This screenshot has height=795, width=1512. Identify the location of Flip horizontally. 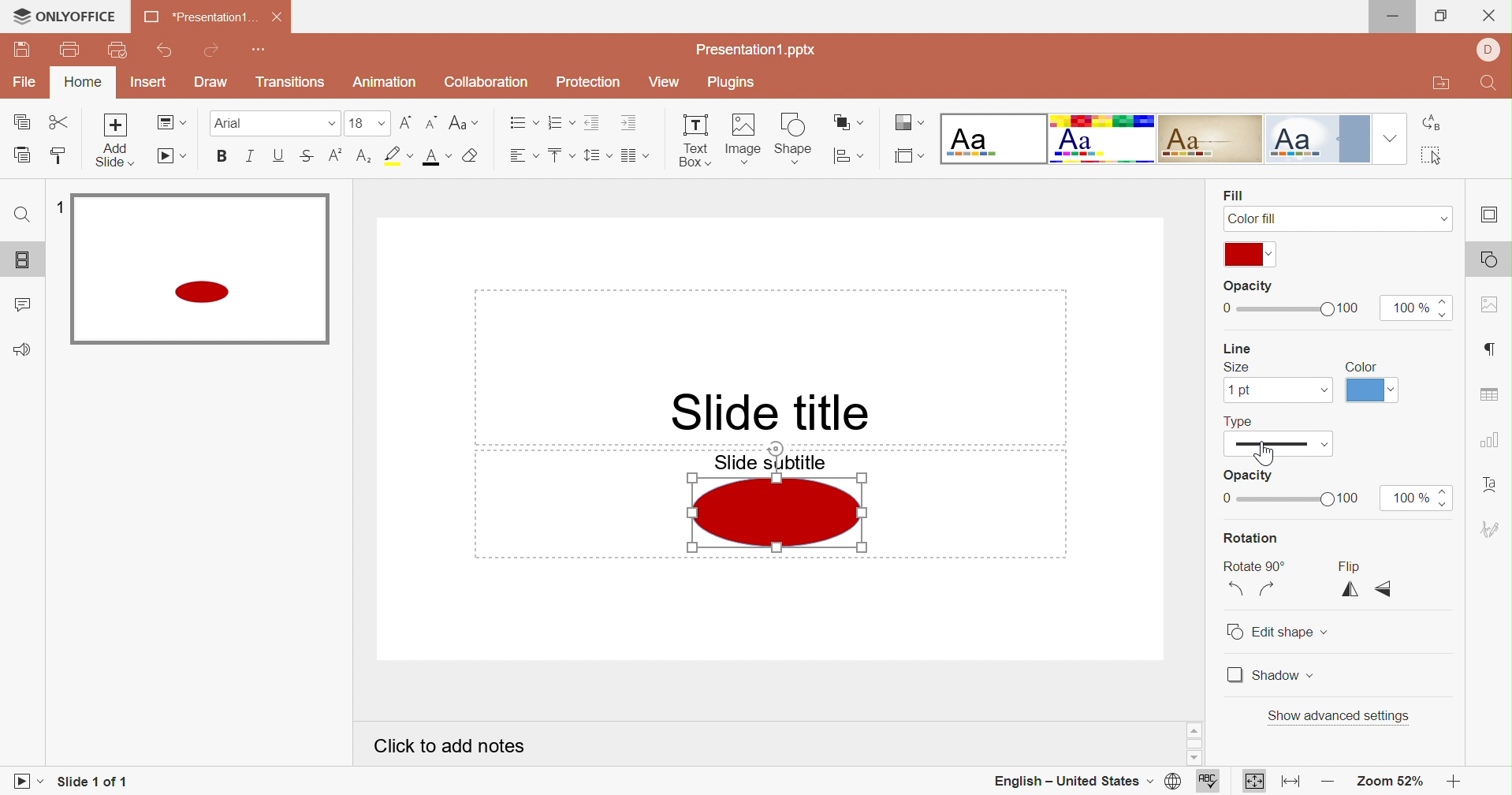
(1349, 590).